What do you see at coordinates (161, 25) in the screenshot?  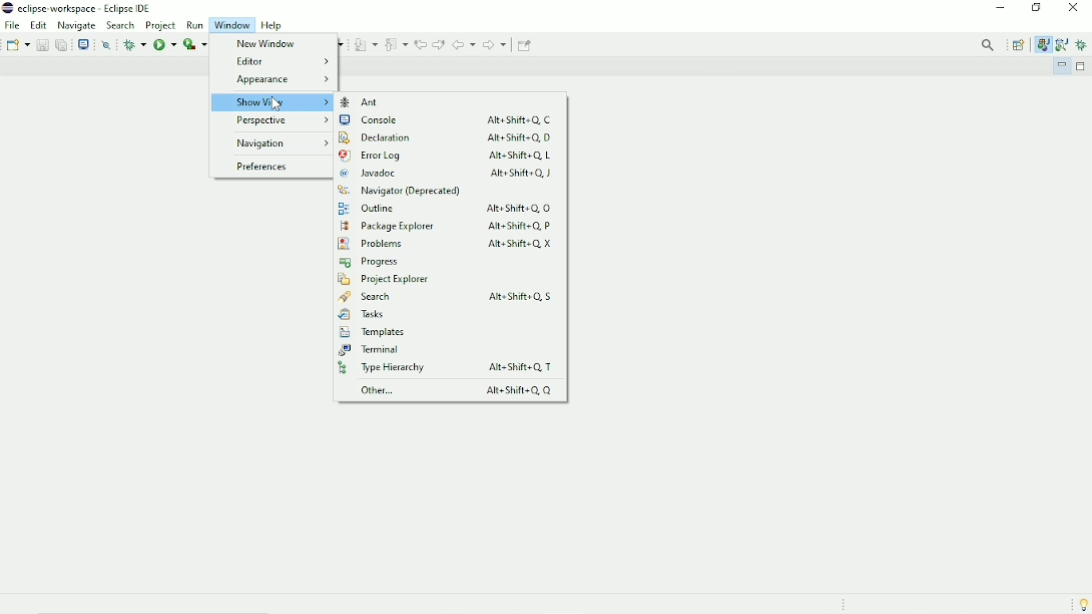 I see `Project` at bounding box center [161, 25].